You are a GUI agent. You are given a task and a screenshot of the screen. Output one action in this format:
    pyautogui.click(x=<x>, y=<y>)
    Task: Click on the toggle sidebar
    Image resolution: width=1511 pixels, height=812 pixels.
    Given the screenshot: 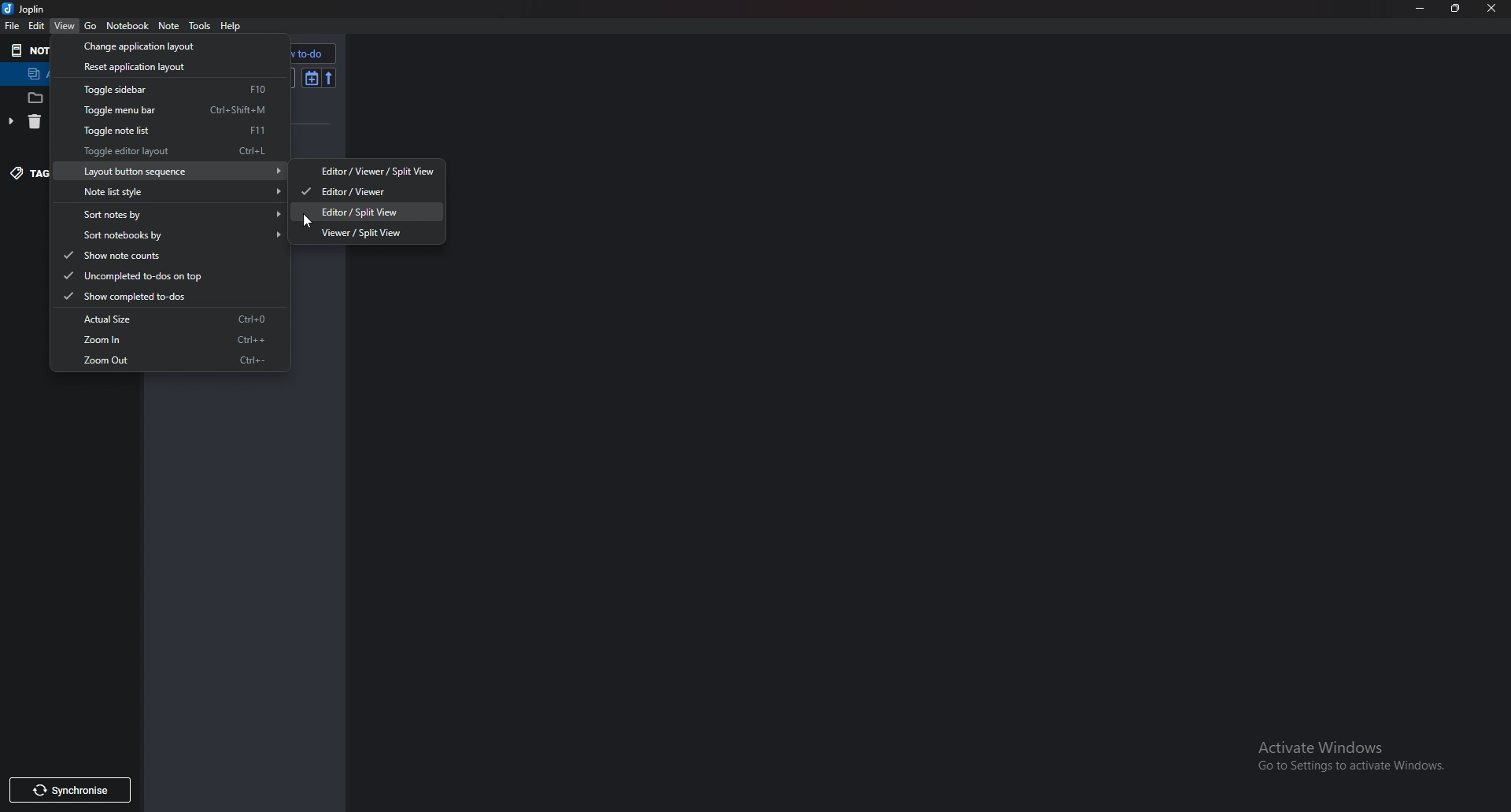 What is the action you would take?
    pyautogui.click(x=168, y=90)
    